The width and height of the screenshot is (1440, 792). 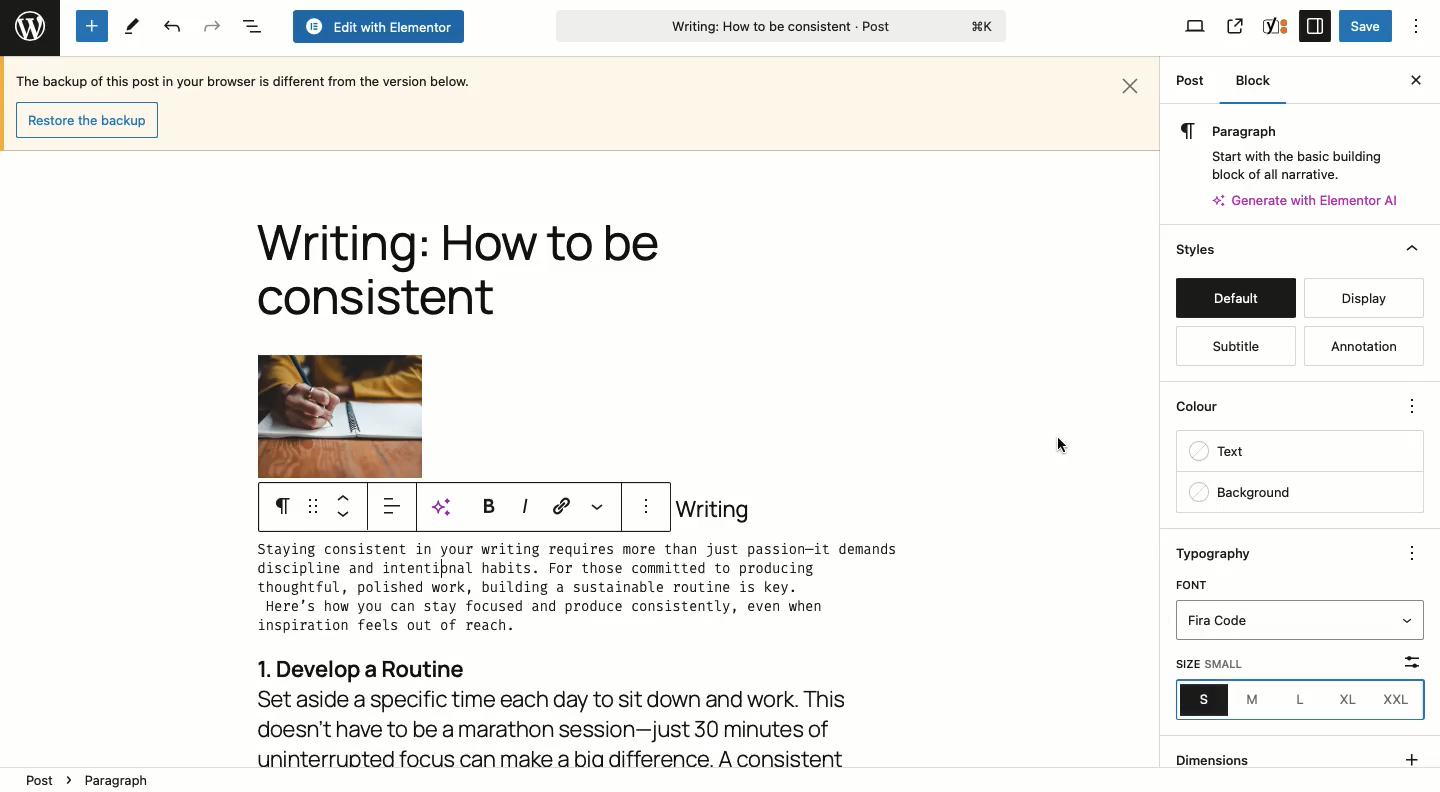 What do you see at coordinates (92, 26) in the screenshot?
I see `Add new block` at bounding box center [92, 26].